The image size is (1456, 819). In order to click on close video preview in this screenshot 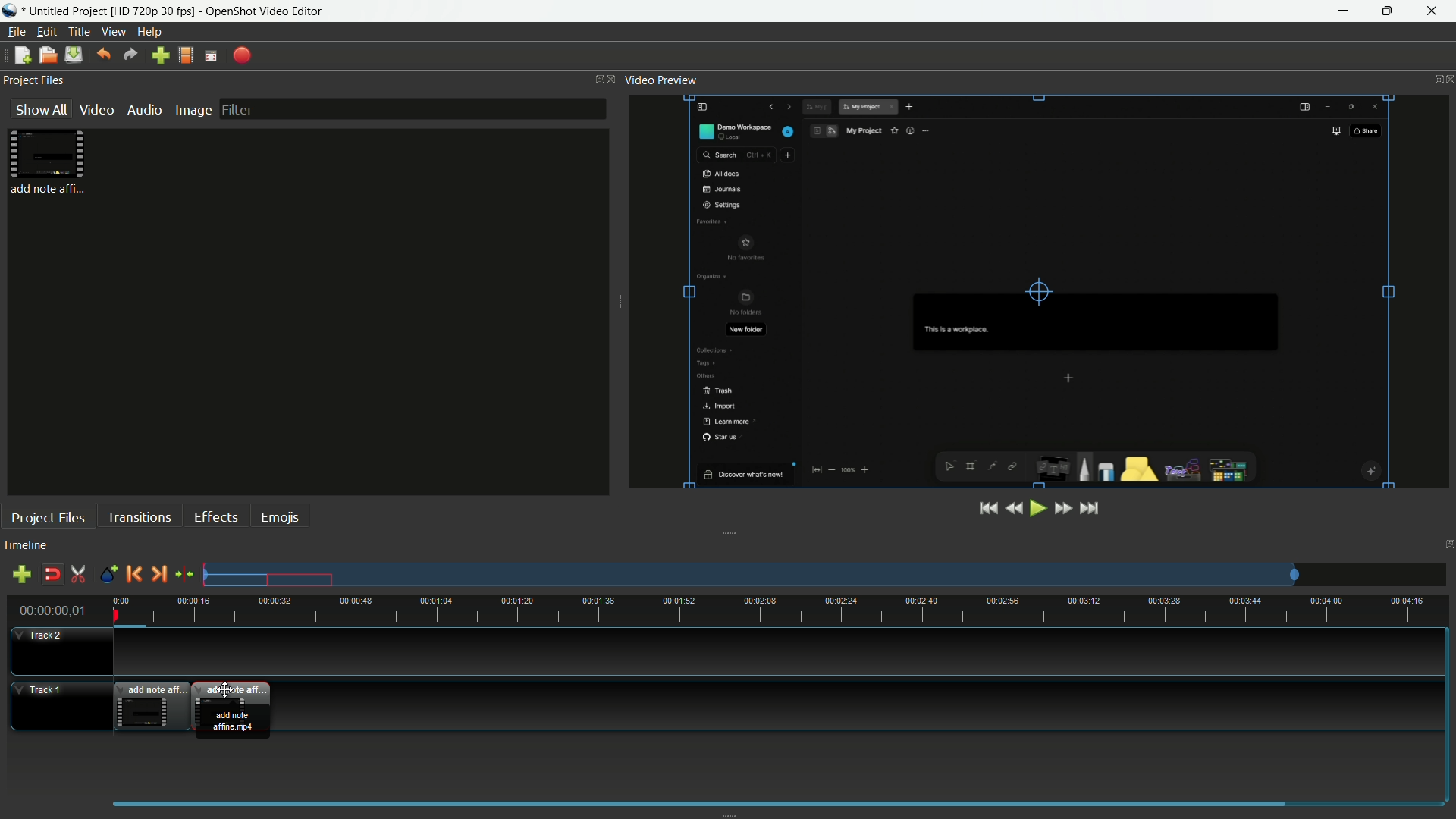, I will do `click(1447, 80)`.